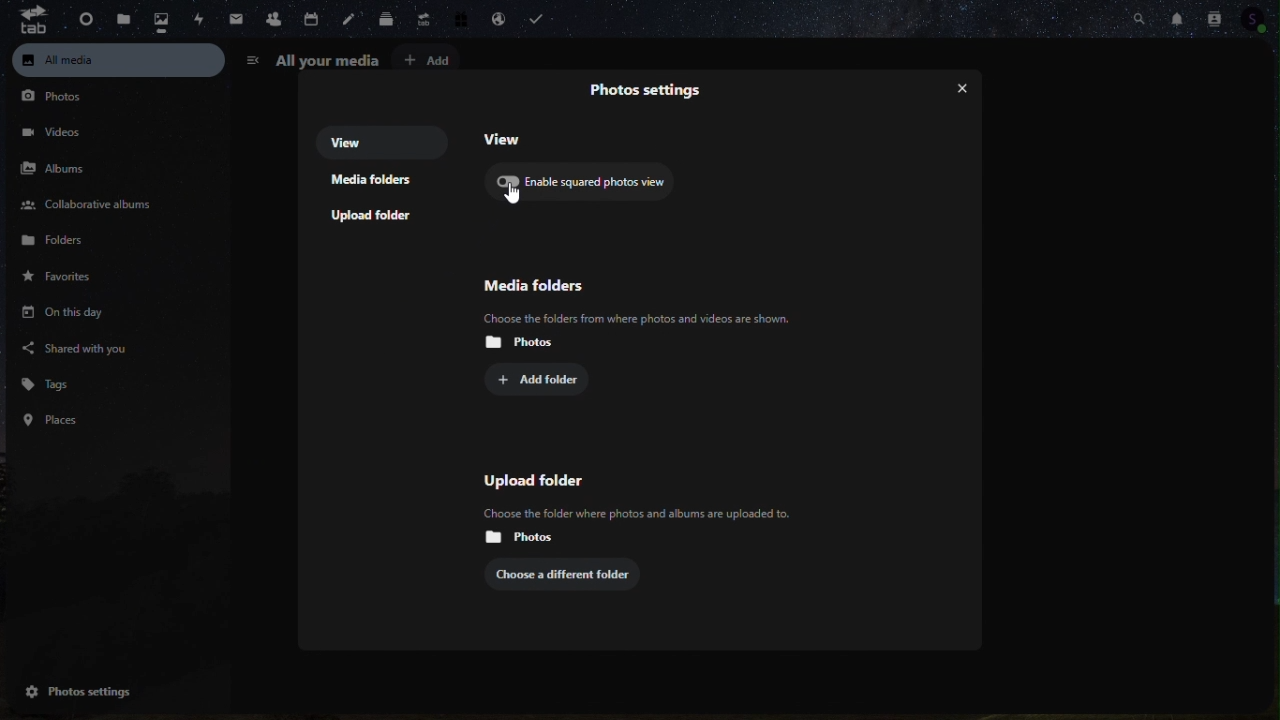 The height and width of the screenshot is (720, 1280). Describe the element at coordinates (86, 206) in the screenshot. I see `Collaborative albums` at that location.